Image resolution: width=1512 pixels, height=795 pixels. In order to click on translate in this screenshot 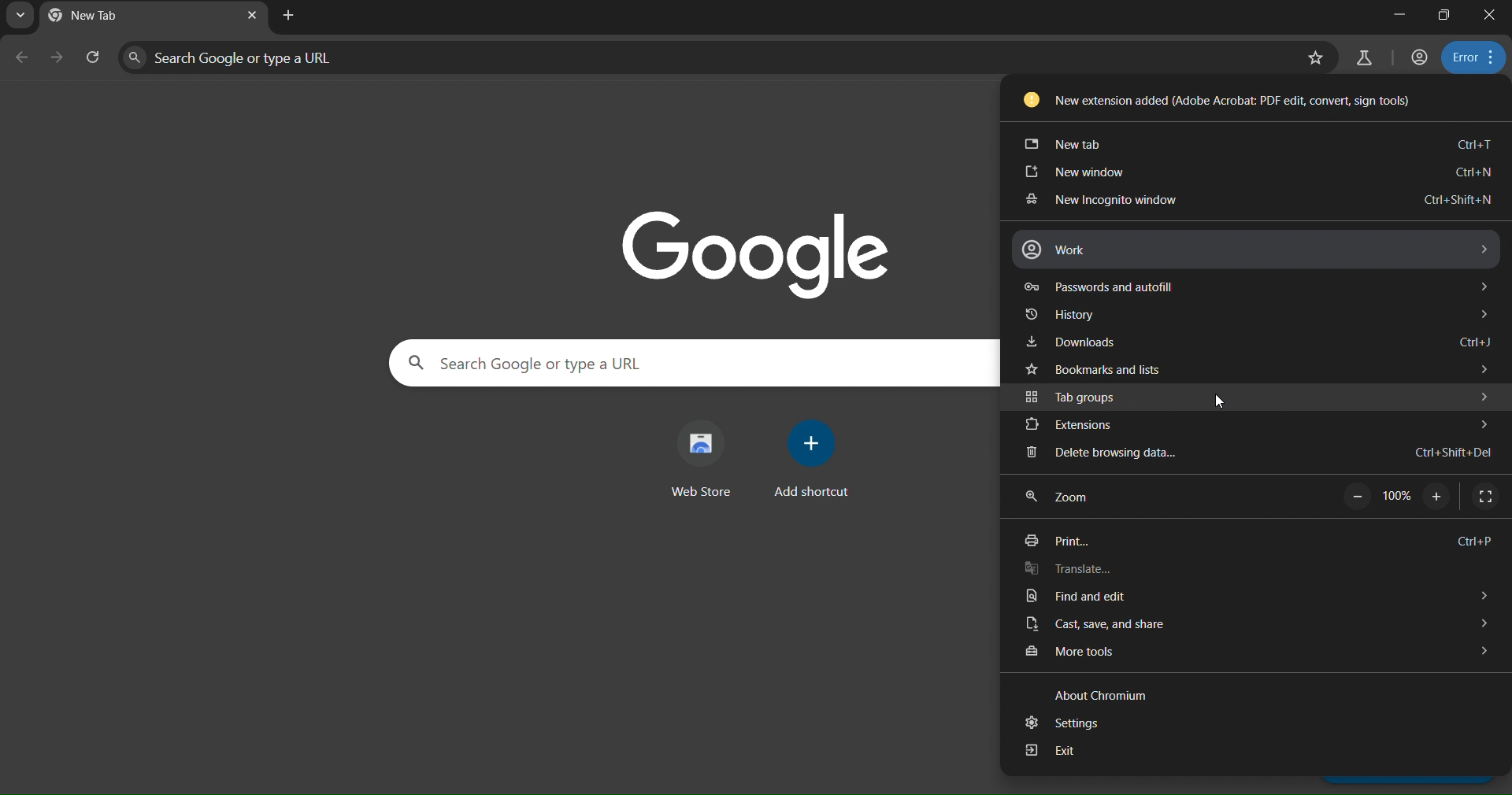, I will do `click(1258, 571)`.